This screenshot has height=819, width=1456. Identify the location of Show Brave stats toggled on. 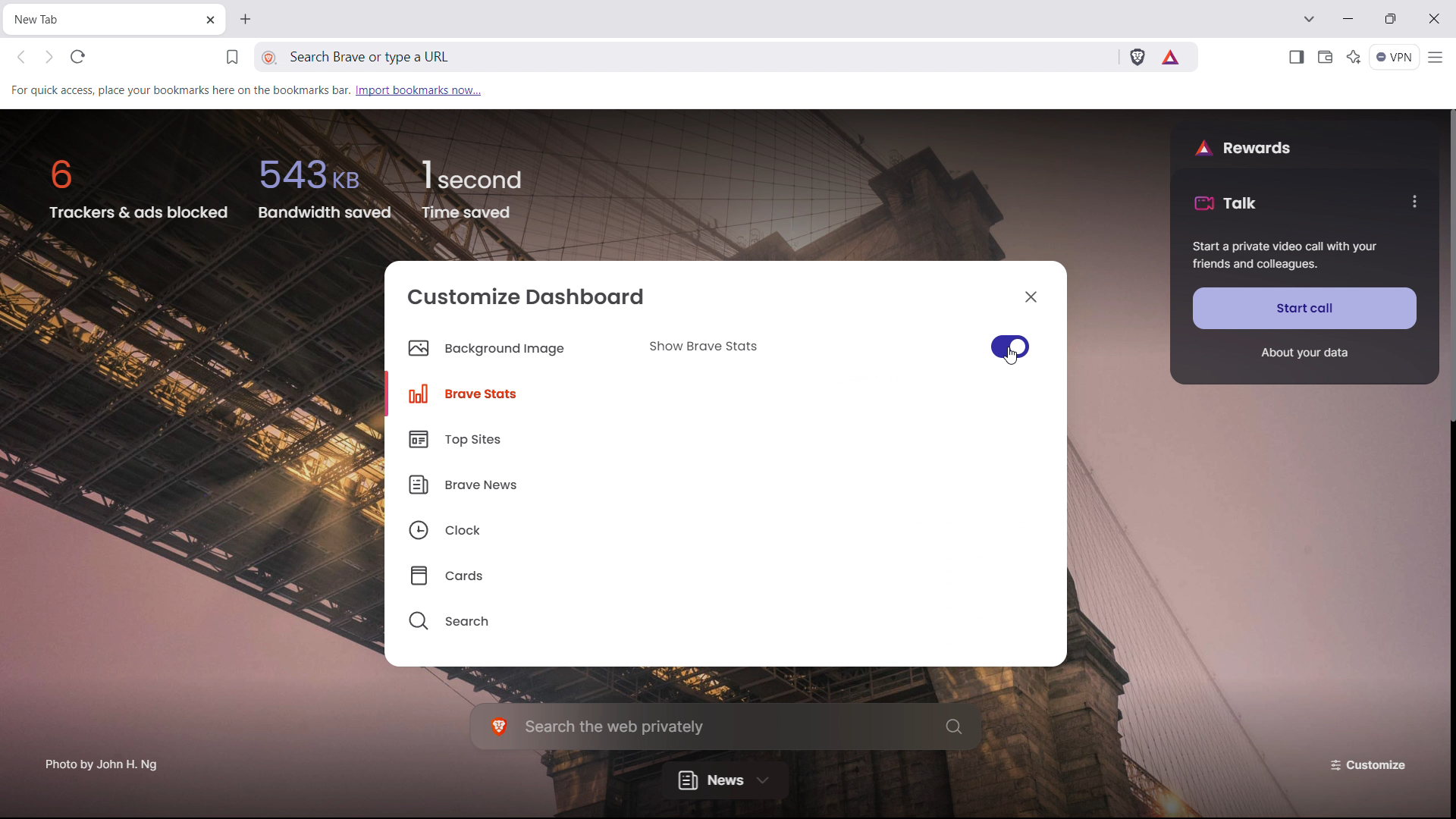
(836, 347).